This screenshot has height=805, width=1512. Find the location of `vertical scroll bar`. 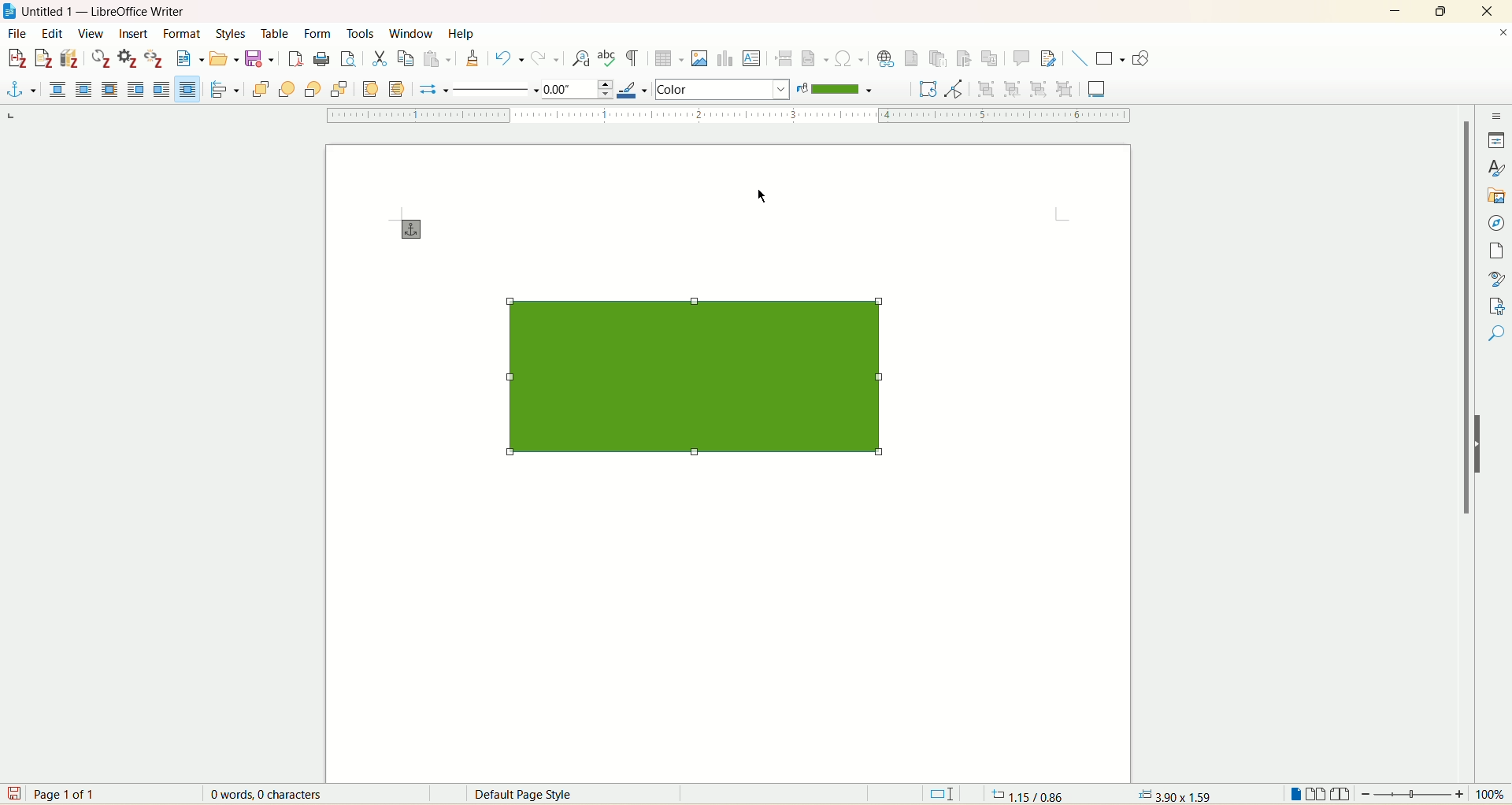

vertical scroll bar is located at coordinates (1466, 444).